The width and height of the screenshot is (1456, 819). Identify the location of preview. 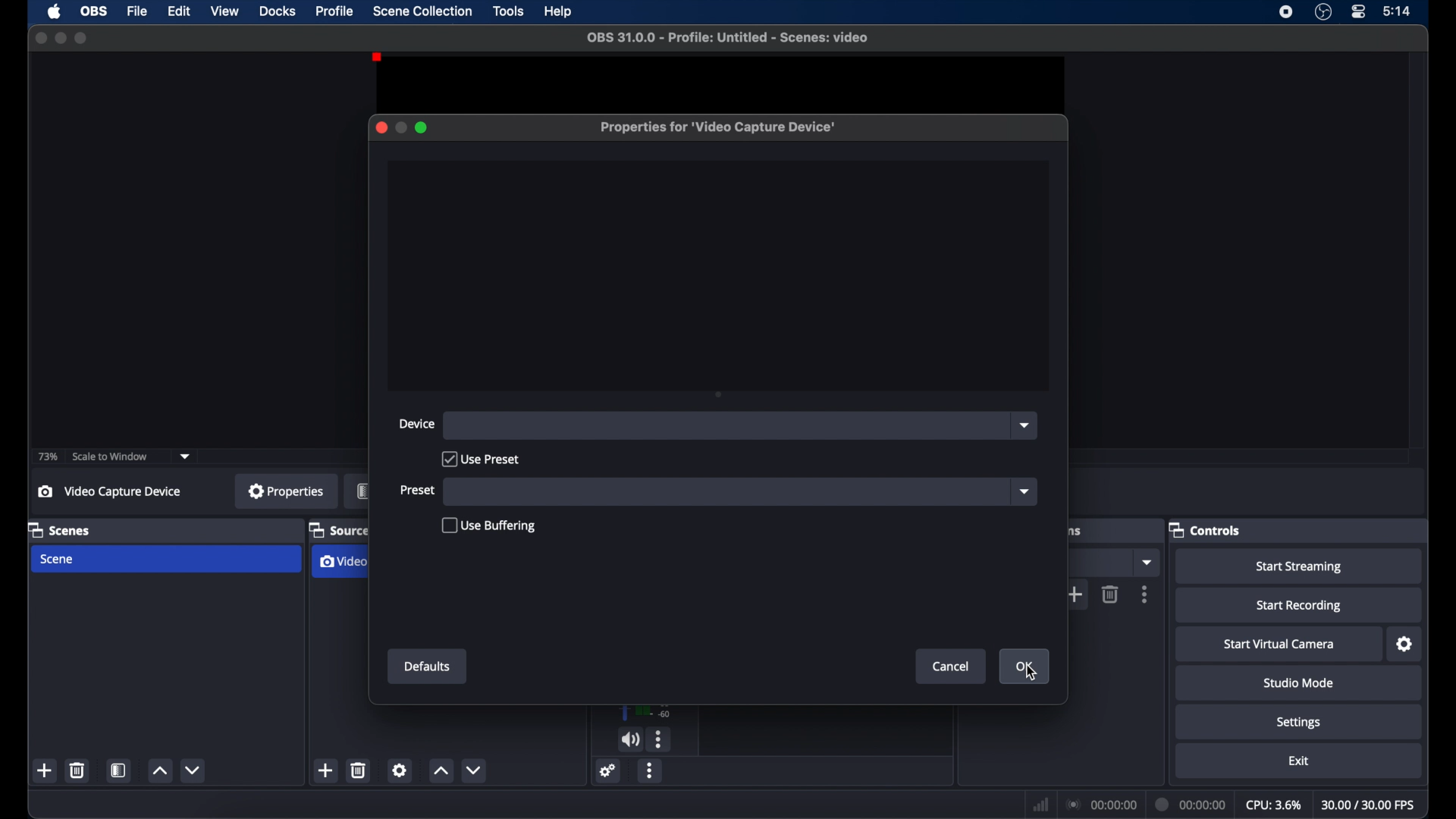
(711, 77).